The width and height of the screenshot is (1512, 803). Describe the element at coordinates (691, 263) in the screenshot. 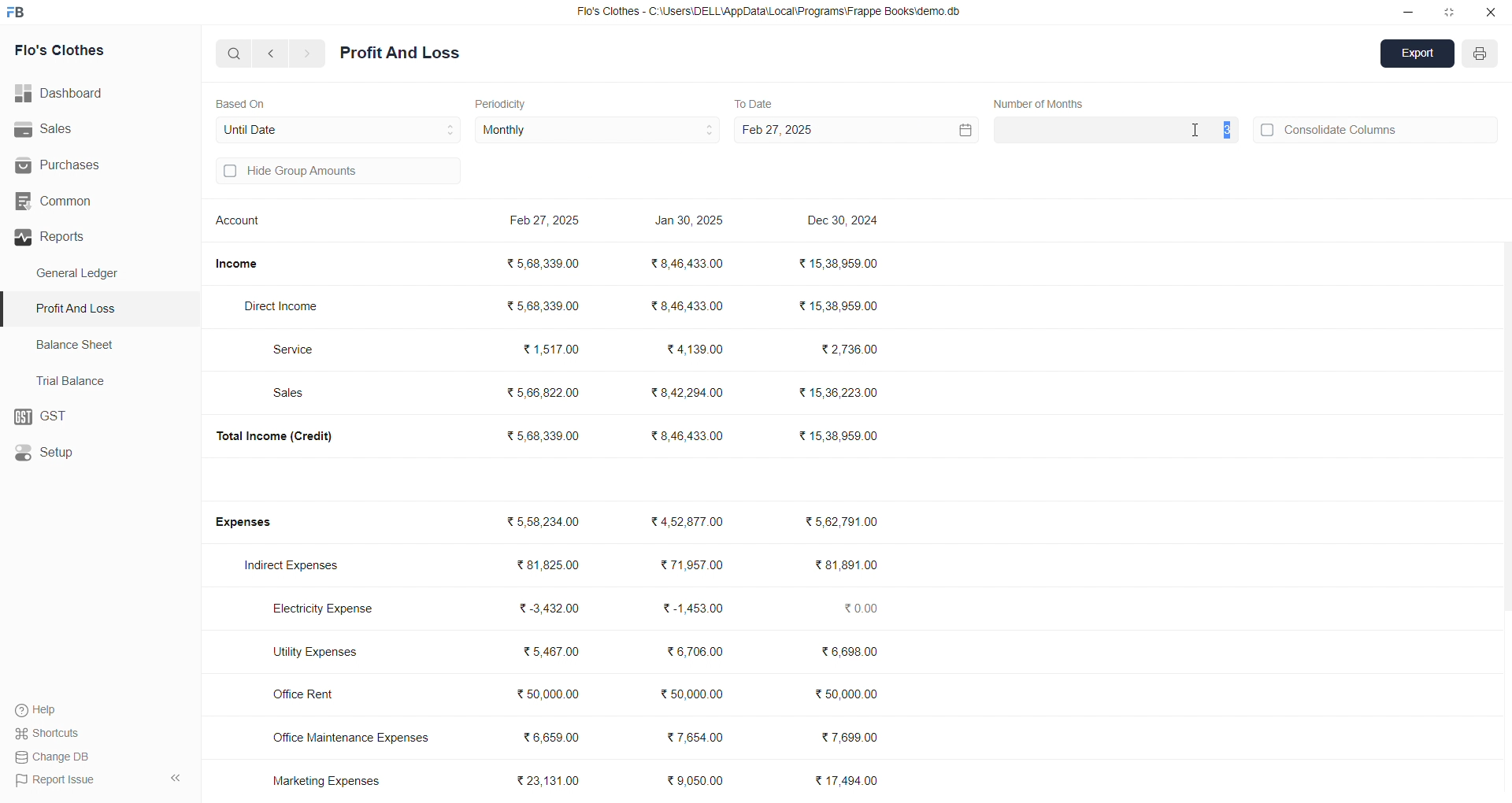

I see `₹8,46,433.00` at that location.